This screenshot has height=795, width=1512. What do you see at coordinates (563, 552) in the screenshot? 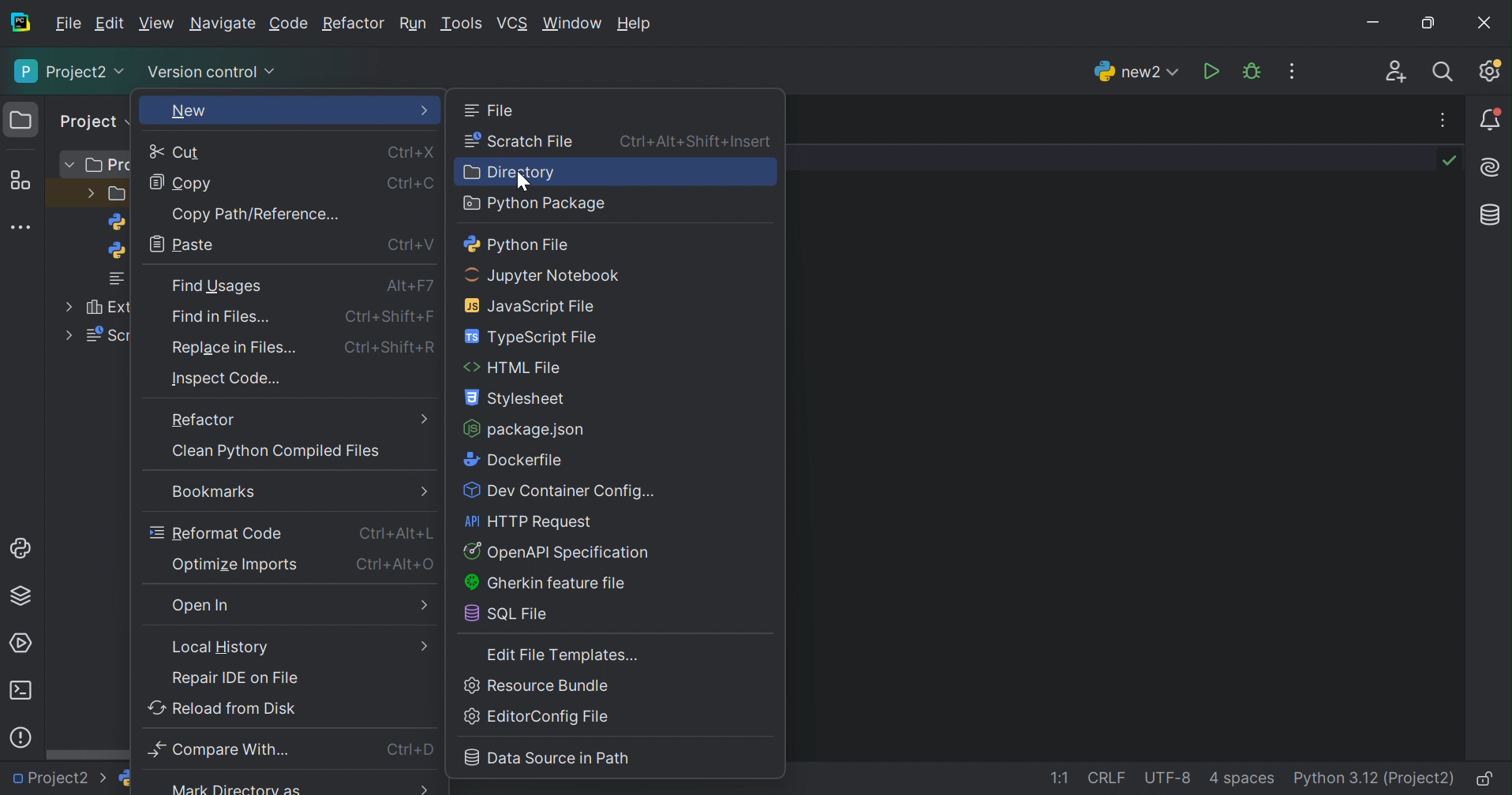
I see `Open API Specification` at bounding box center [563, 552].